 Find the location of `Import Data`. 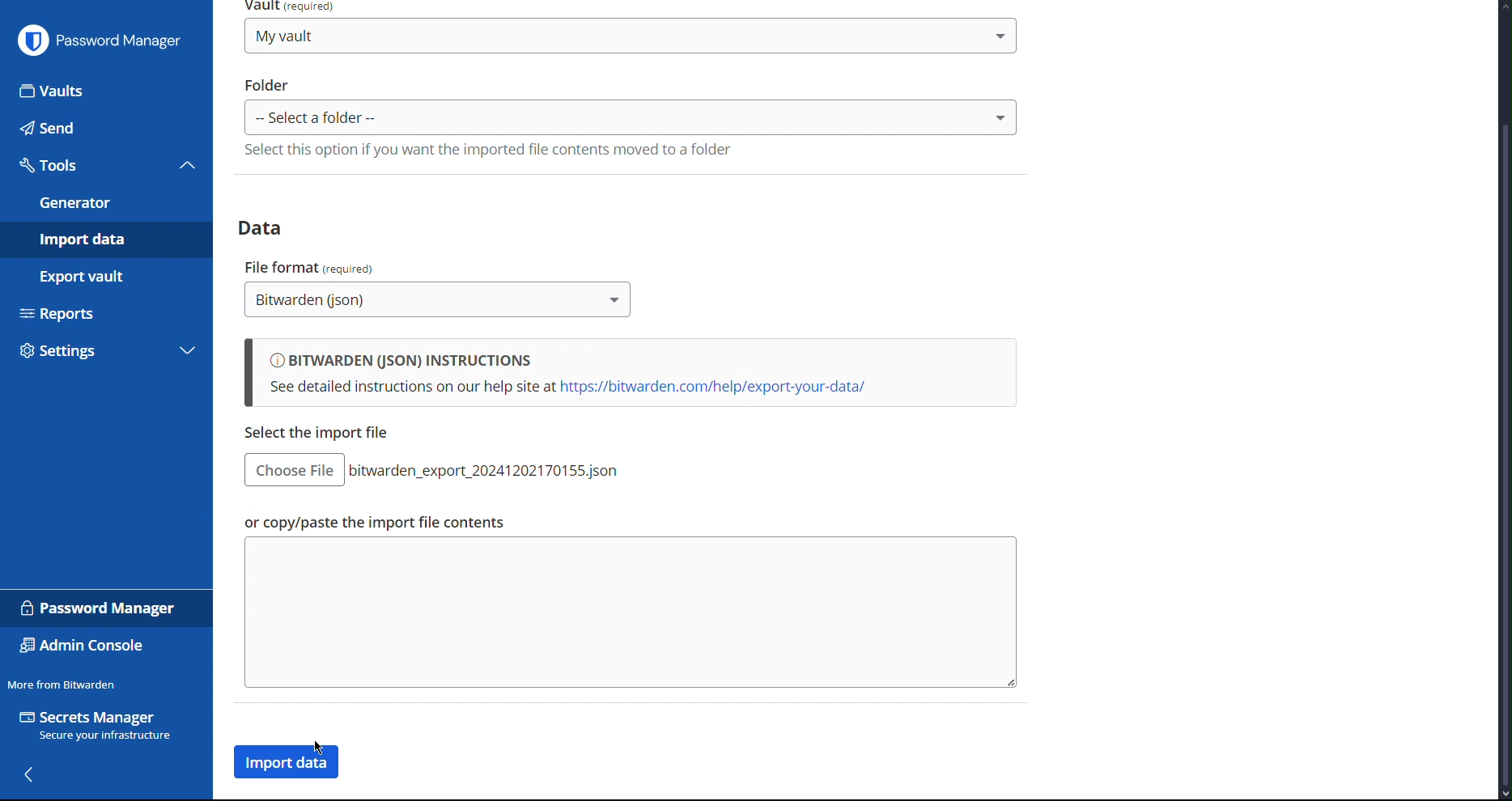

Import Data is located at coordinates (290, 763).